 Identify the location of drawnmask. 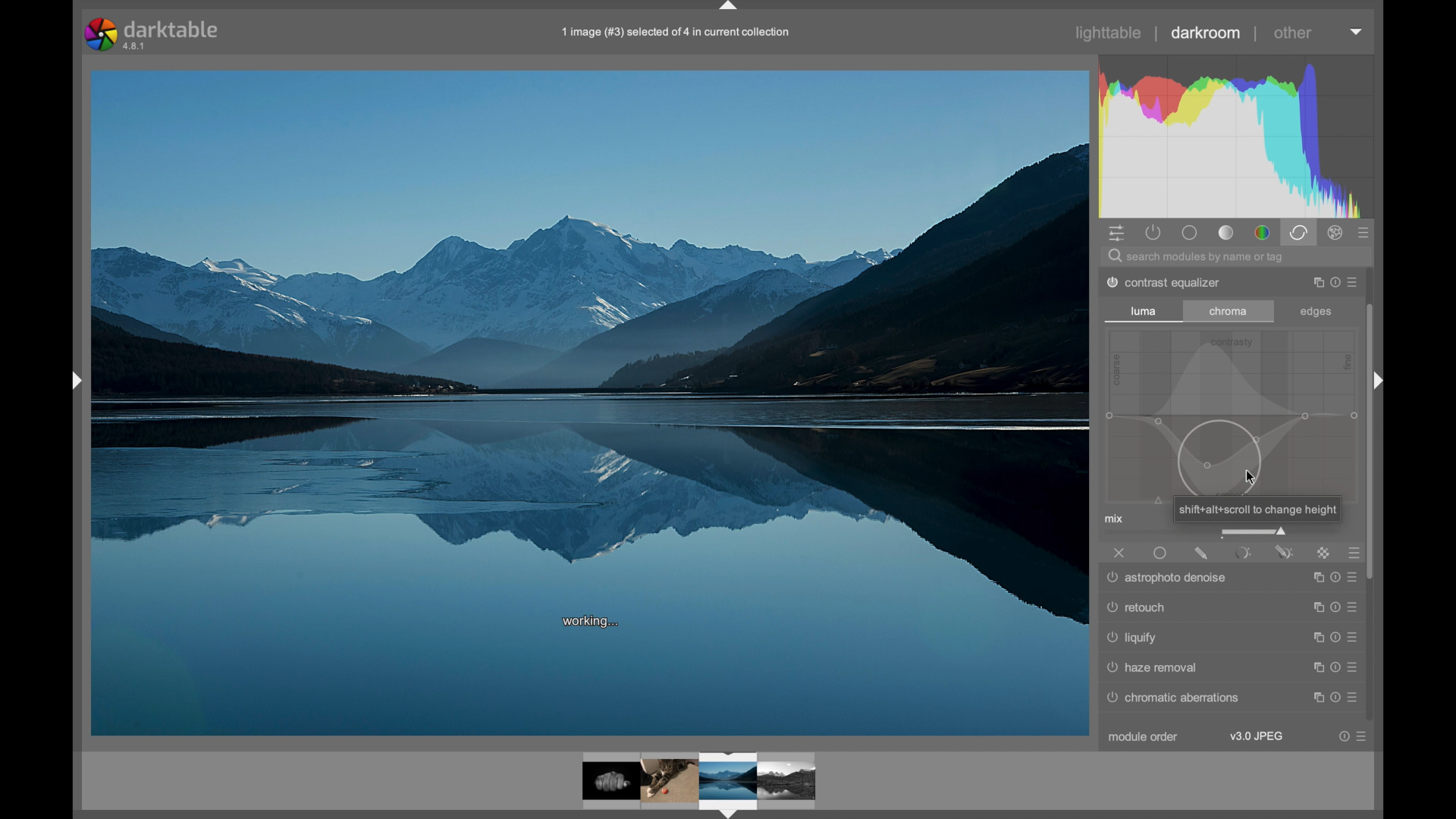
(1201, 553).